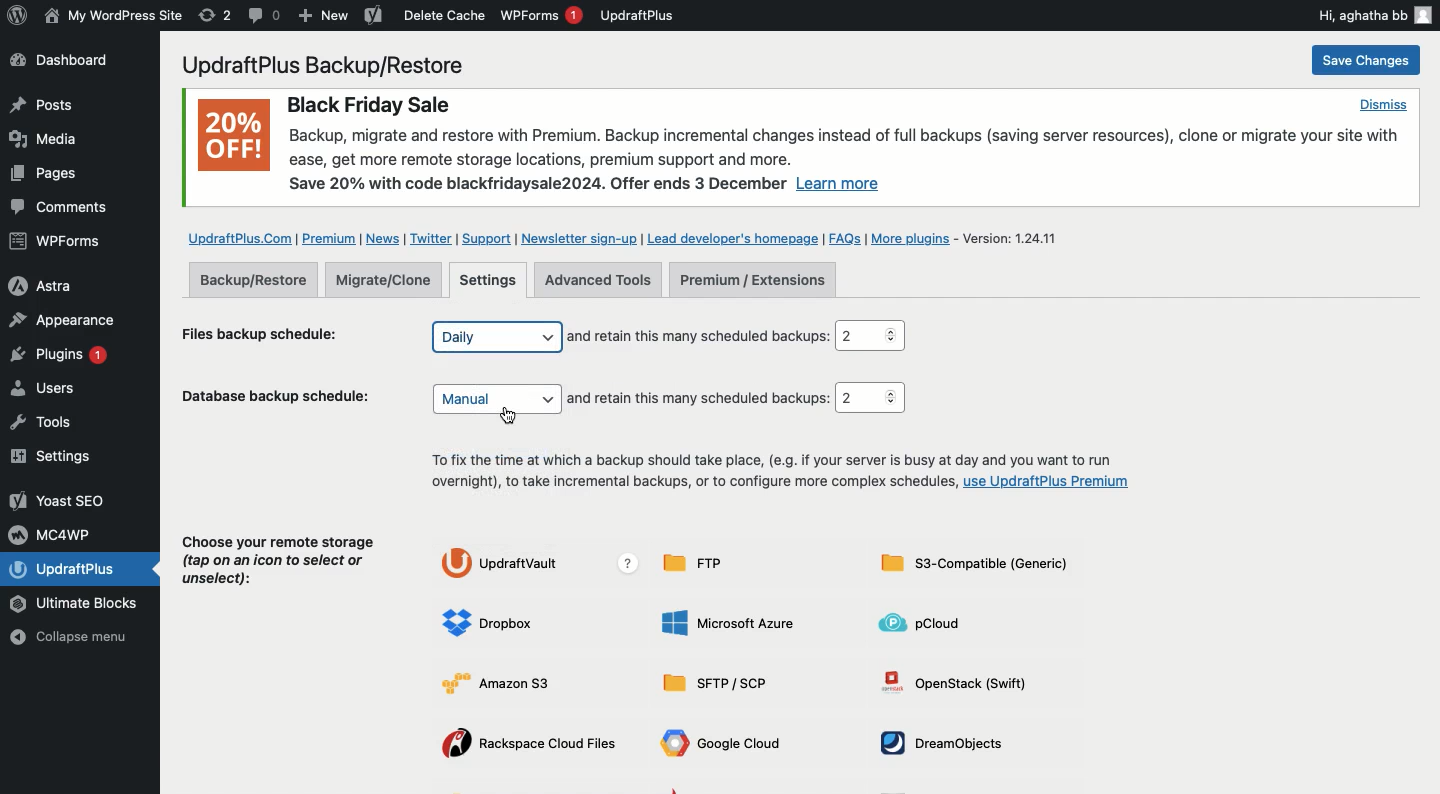  I want to click on Astra, so click(57, 284).